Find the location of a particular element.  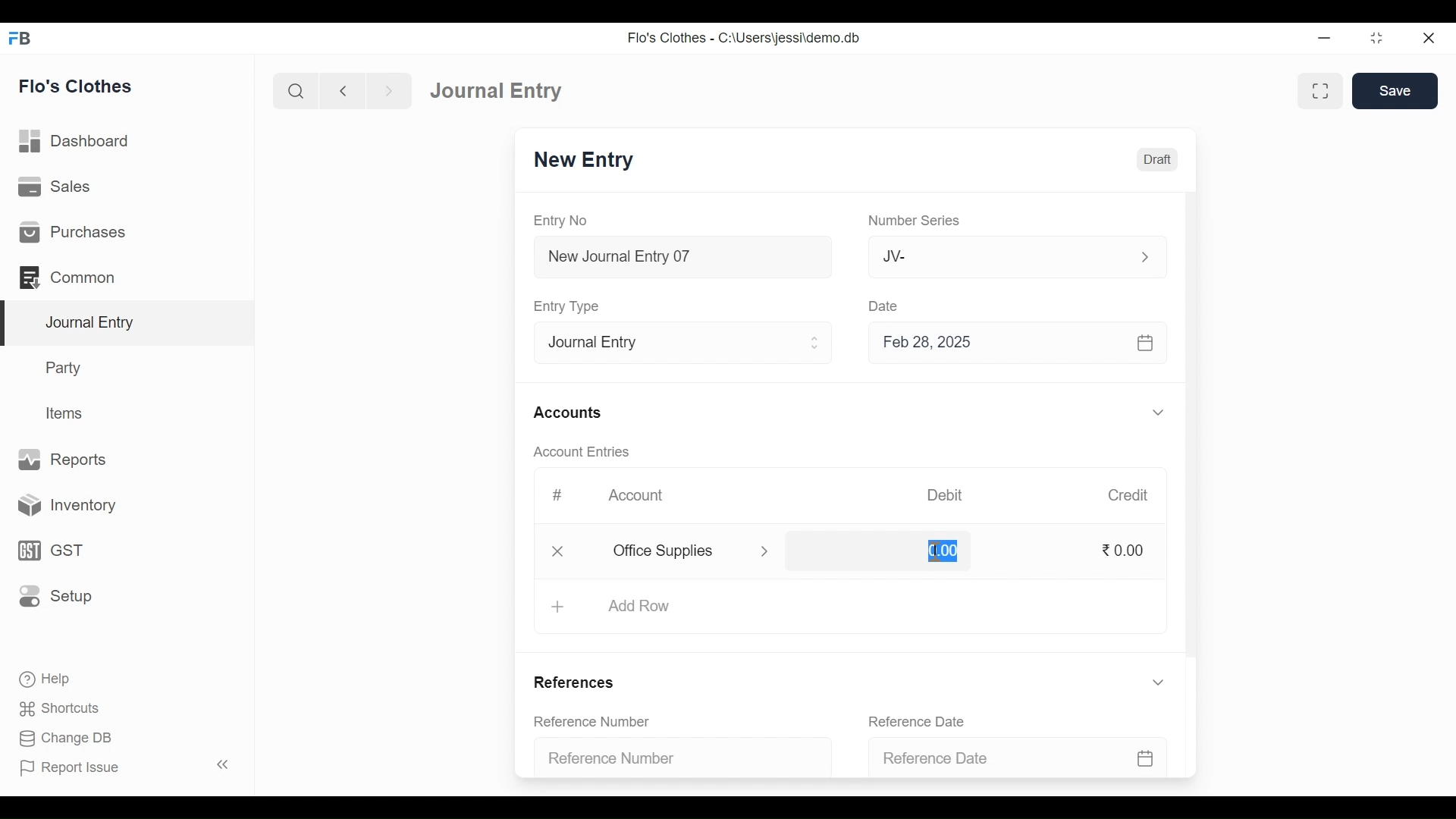

Change DB is located at coordinates (64, 736).